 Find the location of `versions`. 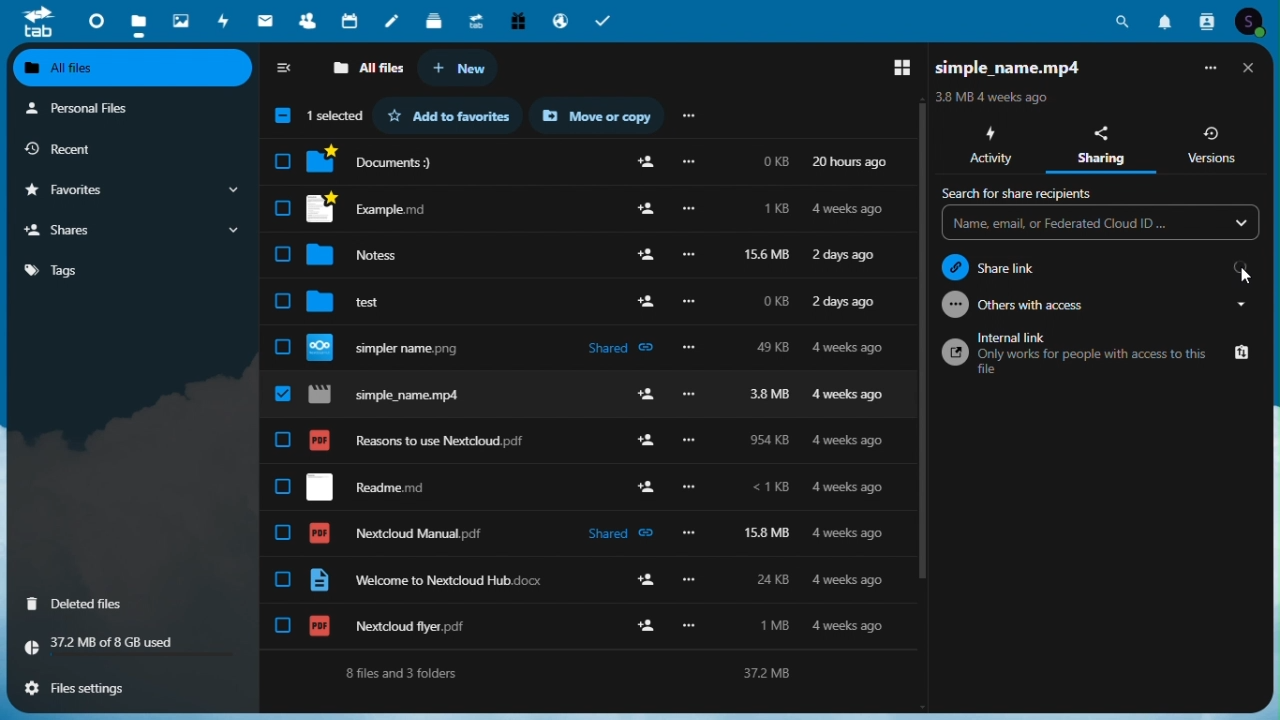

versions is located at coordinates (1215, 147).